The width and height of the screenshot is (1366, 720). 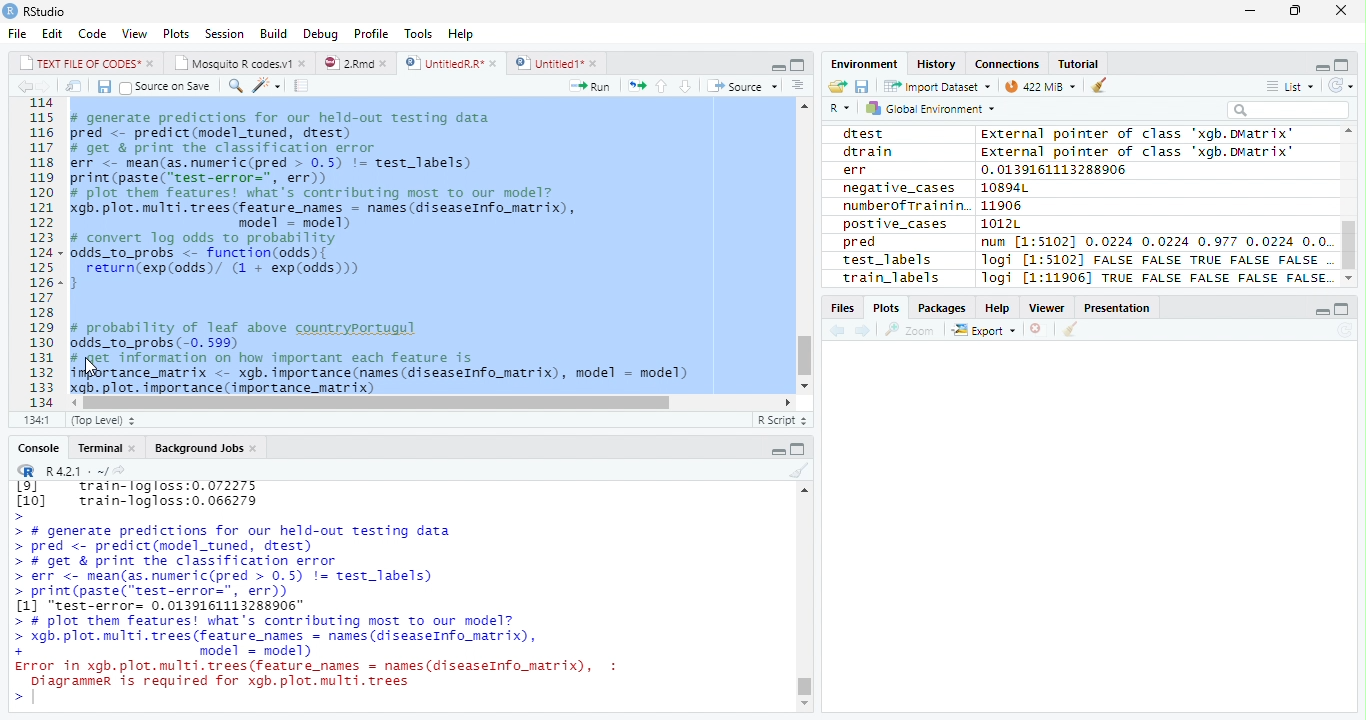 What do you see at coordinates (1142, 132) in the screenshot?
I see `external pointer of class 'xagb.DMatrix'` at bounding box center [1142, 132].